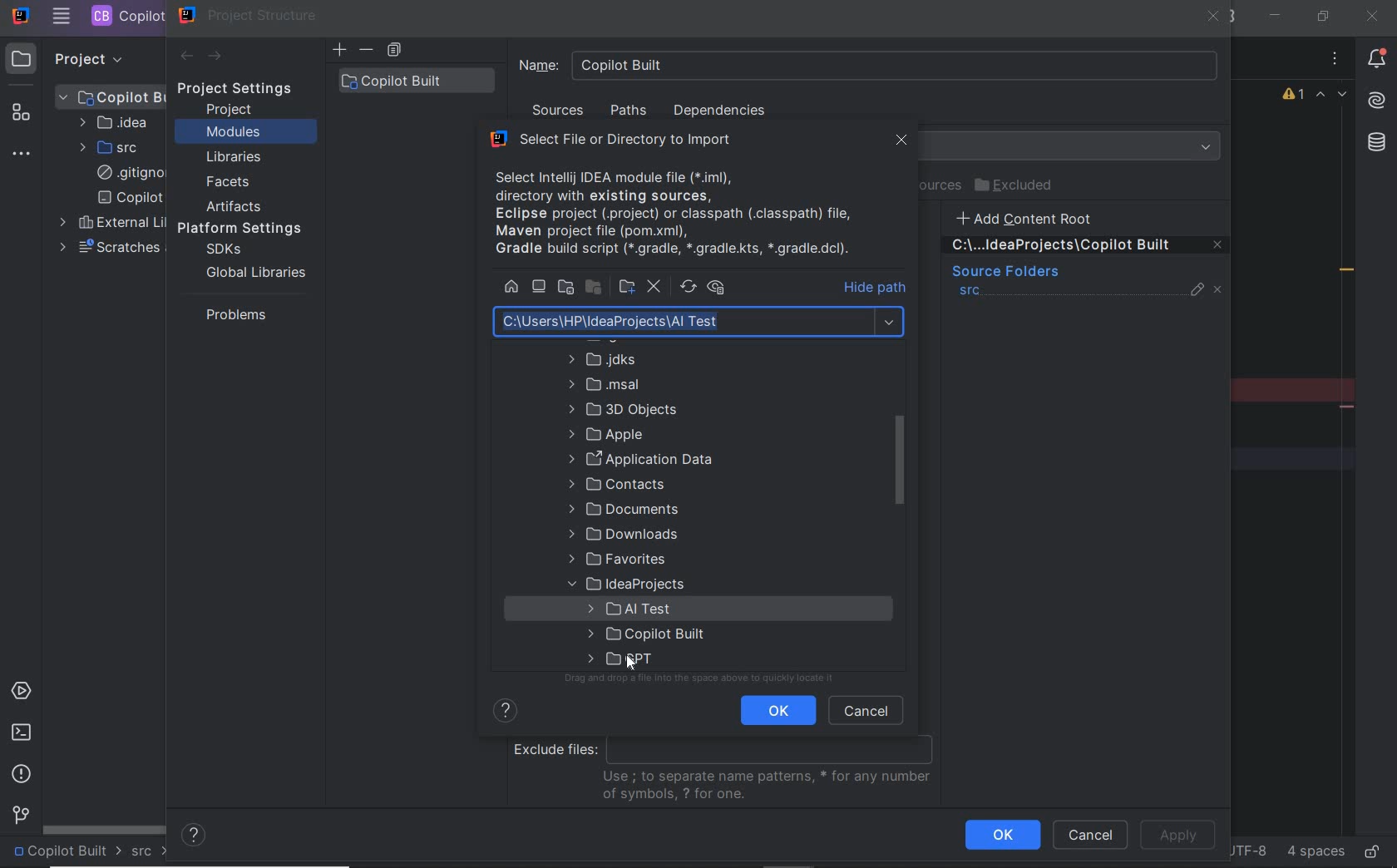 This screenshot has width=1397, height=868. I want to click on excluded, so click(1017, 185).